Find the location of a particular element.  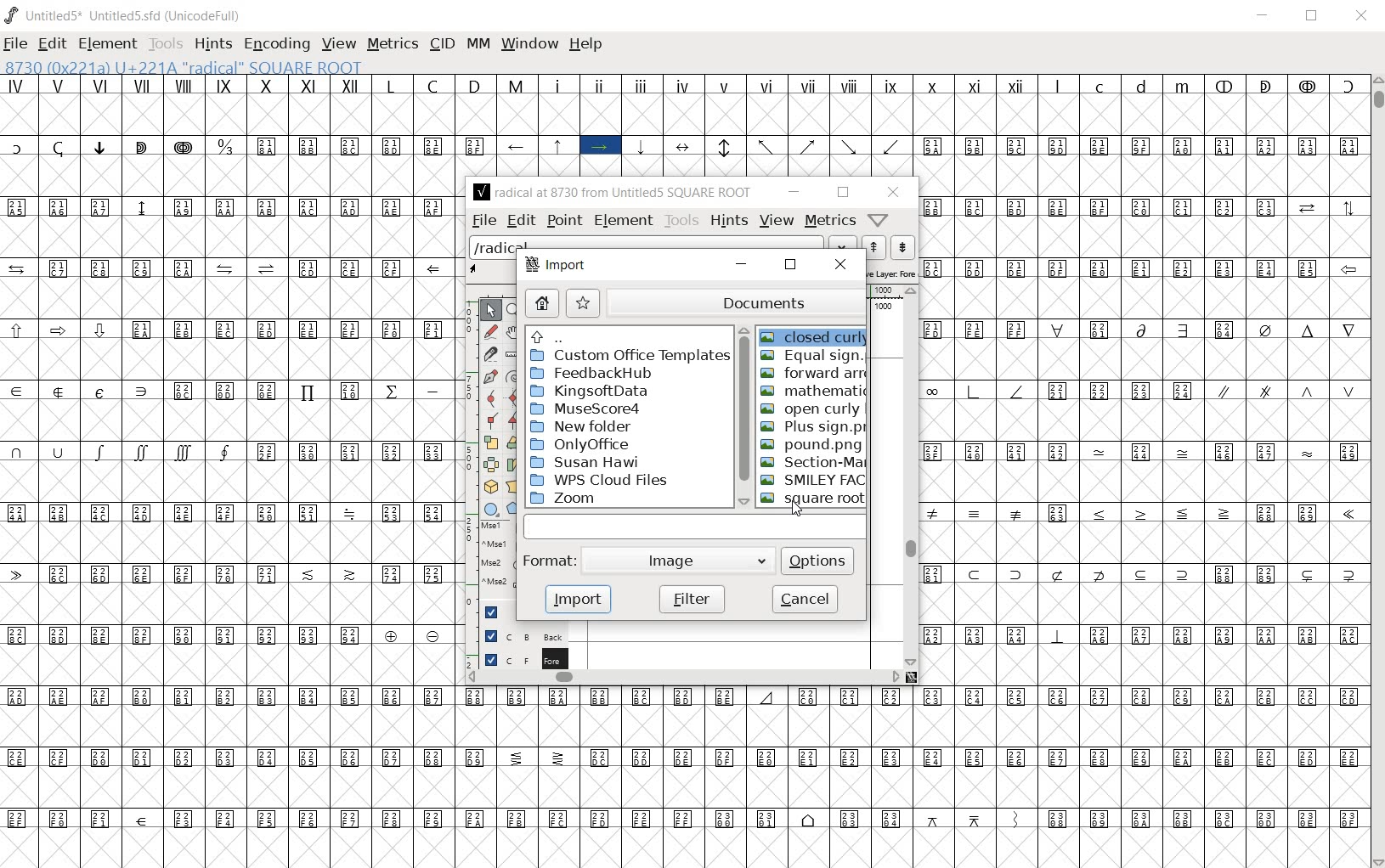

Image is located at coordinates (683, 560).